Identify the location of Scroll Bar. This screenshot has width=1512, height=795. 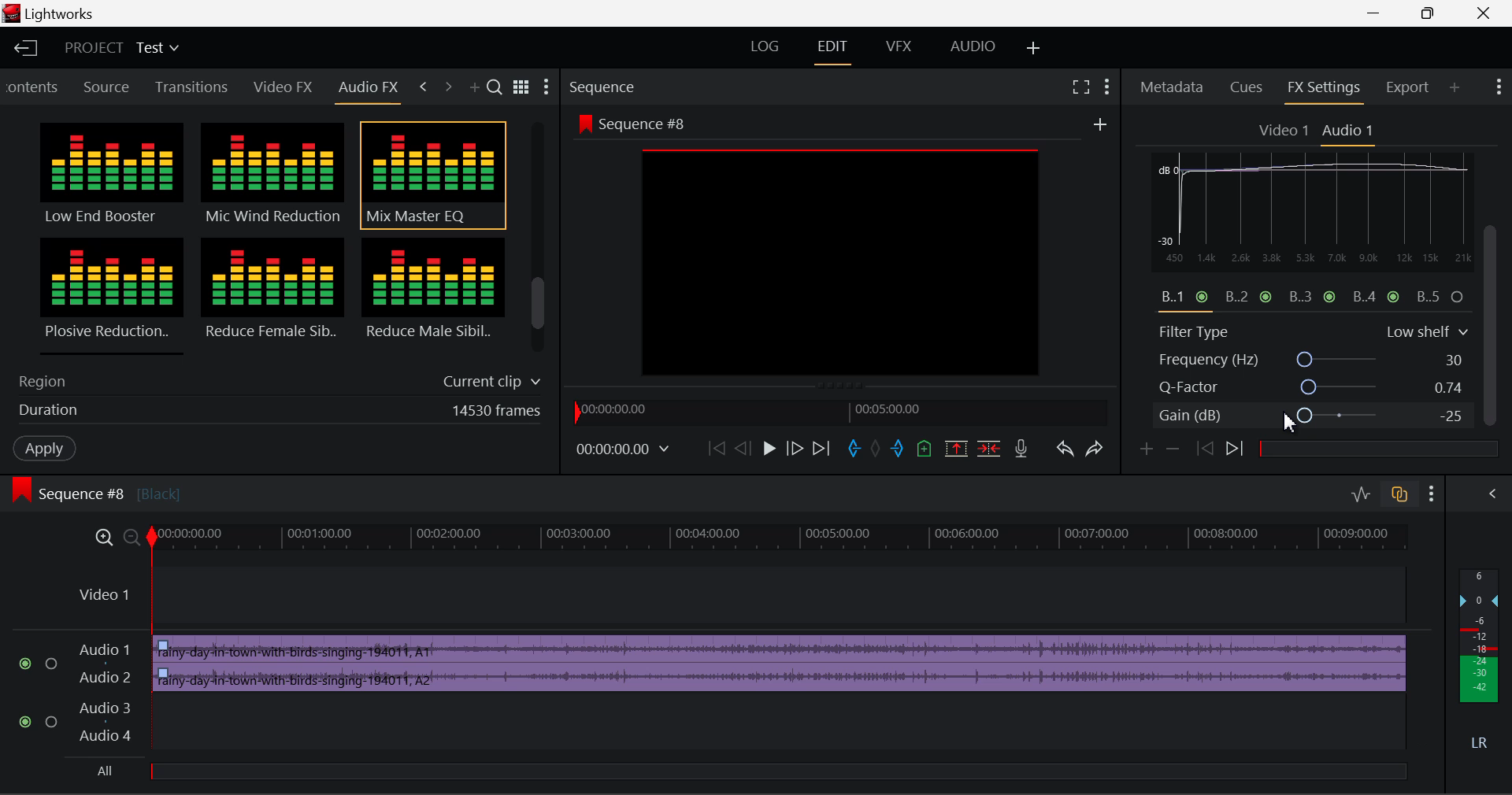
(539, 241).